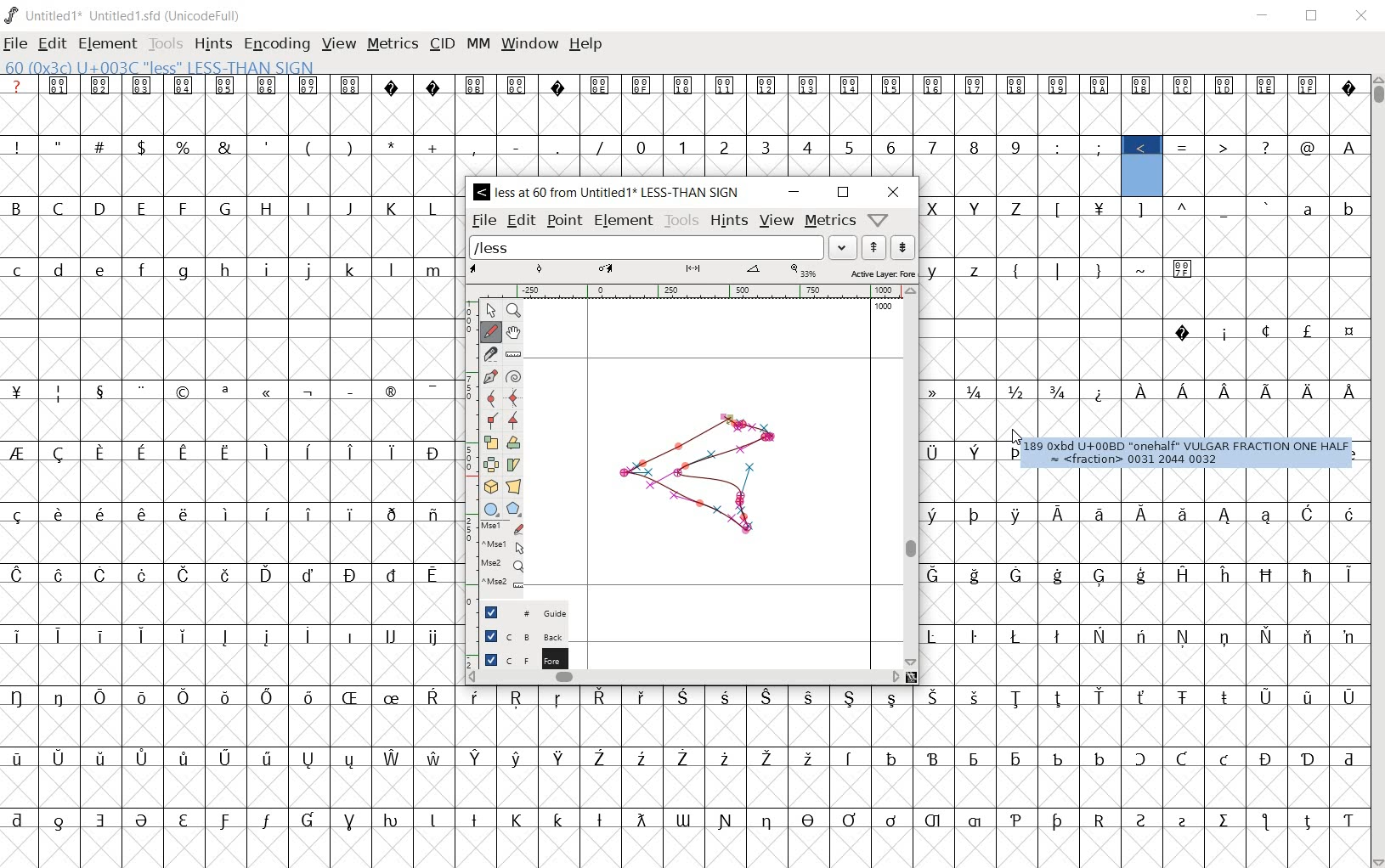 This screenshot has width=1385, height=868. I want to click on Add a corner point, so click(514, 420).